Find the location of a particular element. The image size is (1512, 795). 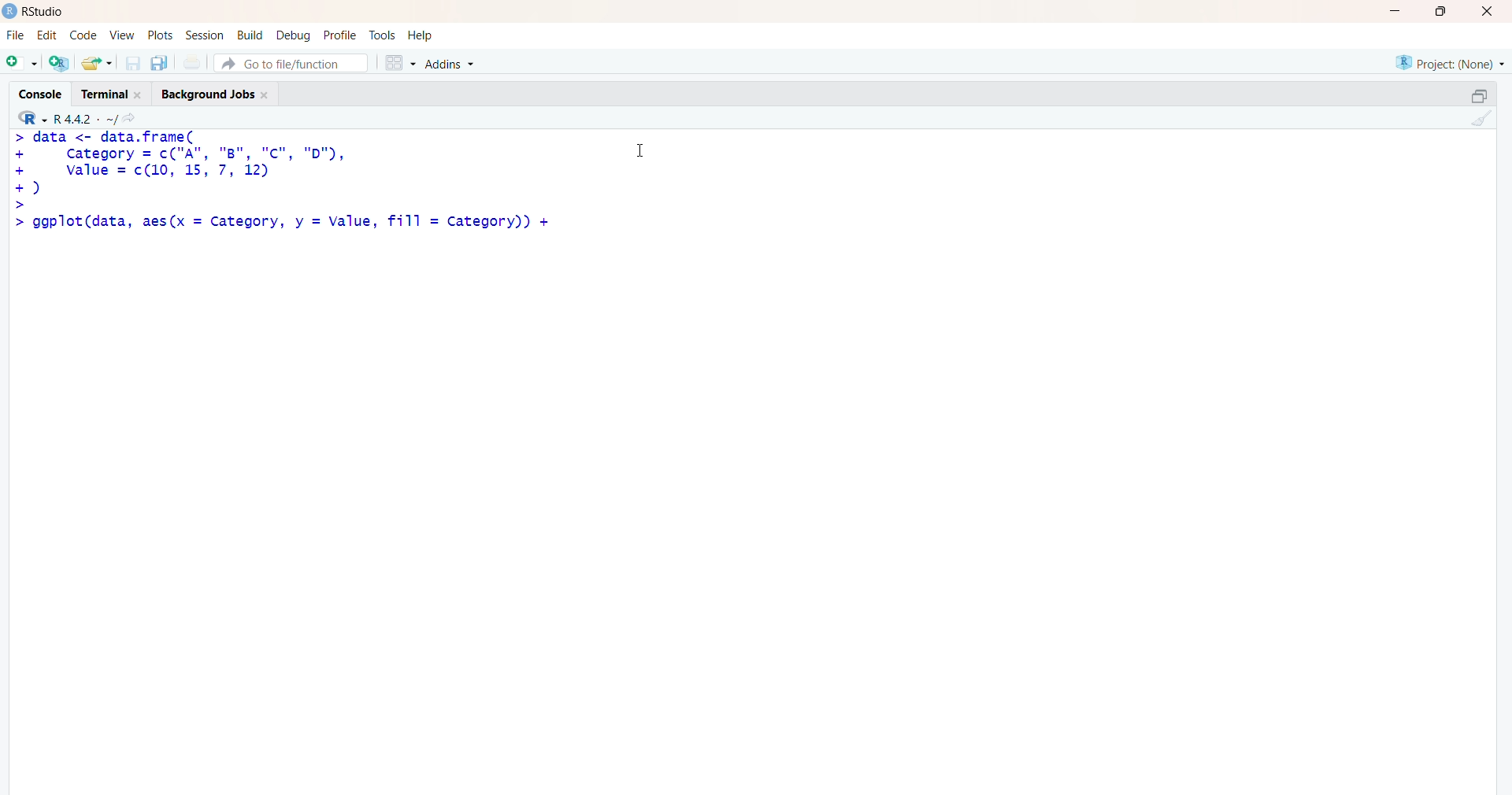

edit is located at coordinates (47, 35).